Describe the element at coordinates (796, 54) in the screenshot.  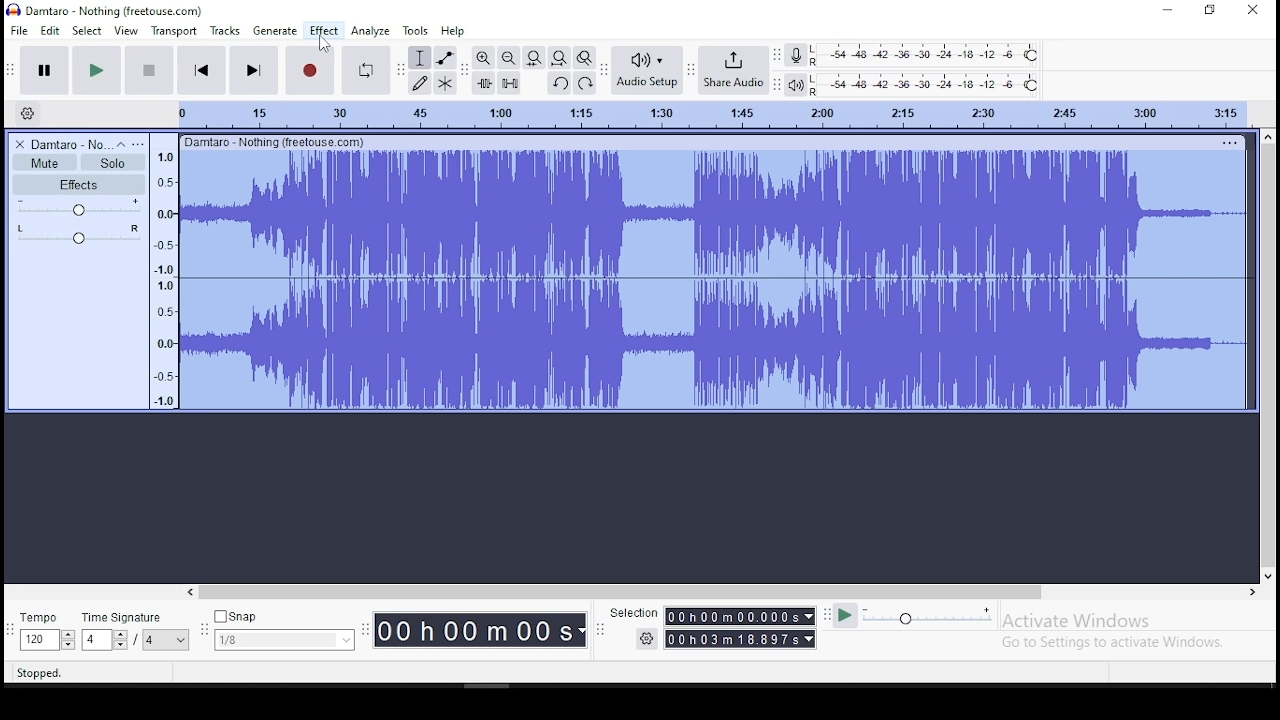
I see `record meter` at that location.